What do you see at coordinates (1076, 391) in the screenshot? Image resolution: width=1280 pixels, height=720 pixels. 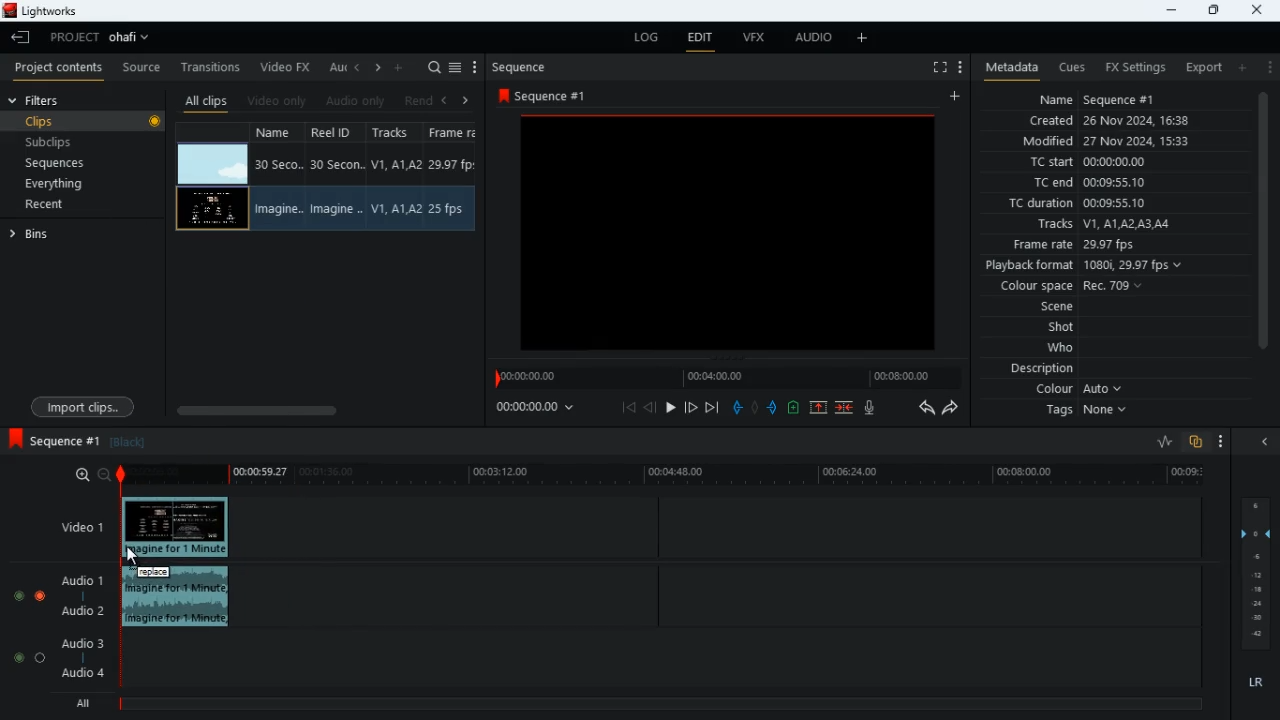 I see `colour` at bounding box center [1076, 391].